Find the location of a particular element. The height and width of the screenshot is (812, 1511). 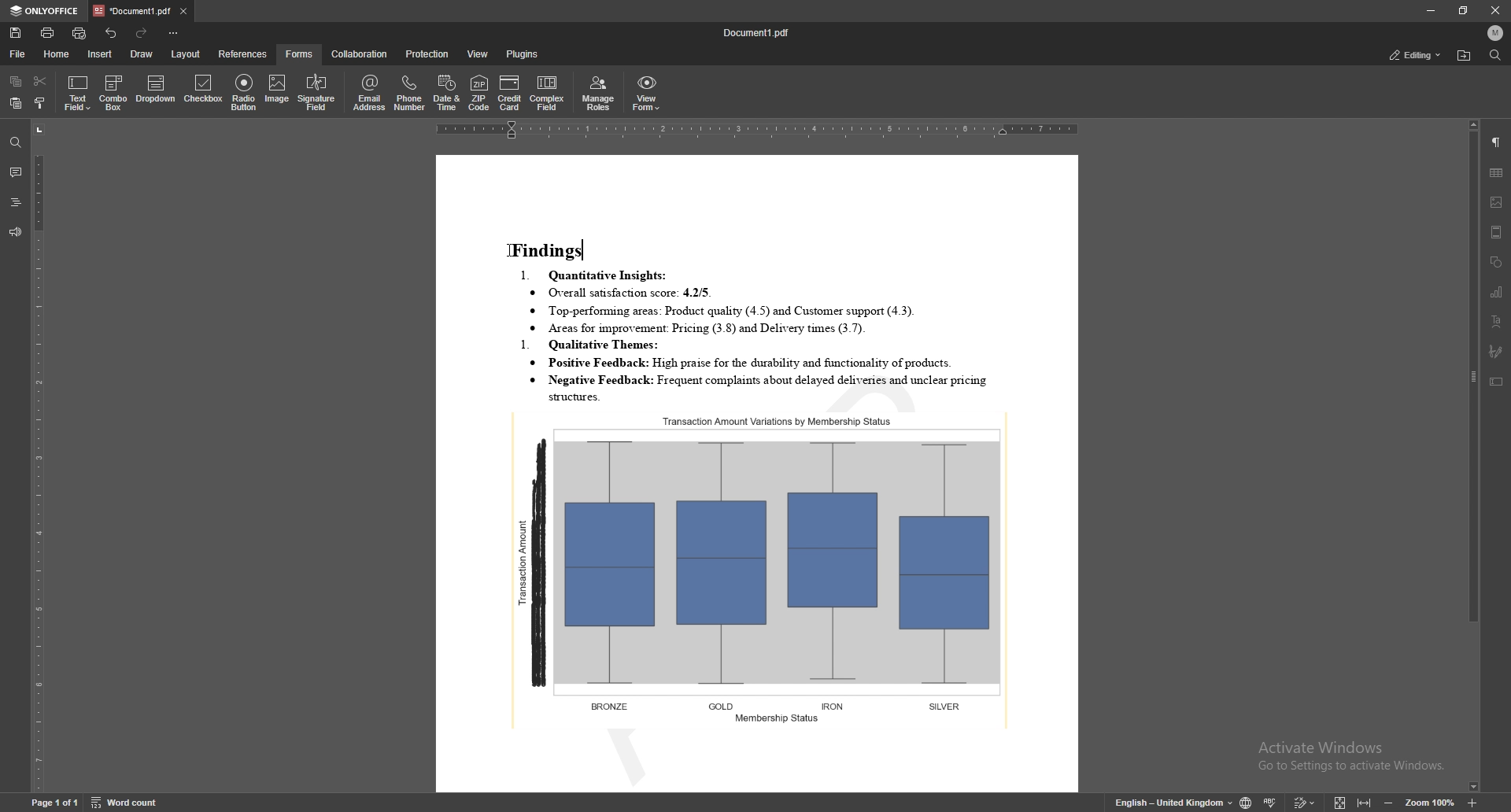

insert is located at coordinates (99, 54).